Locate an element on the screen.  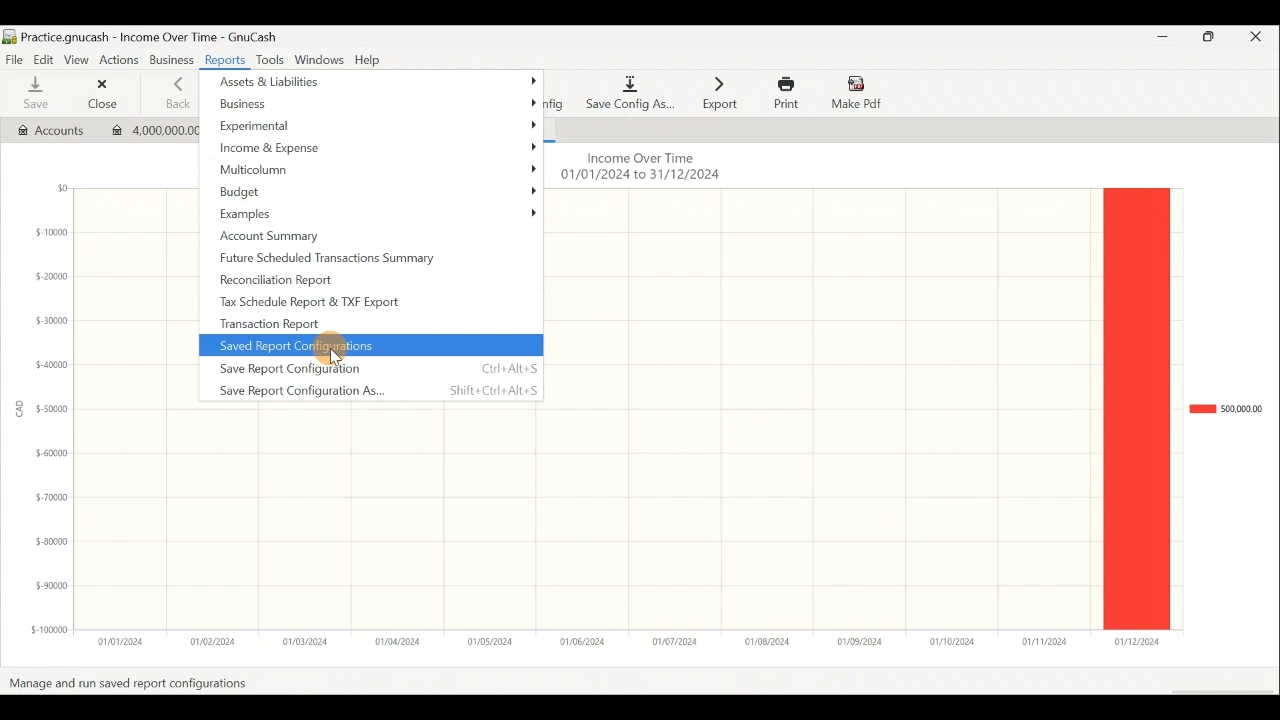
y-axis (amount in CAD) is located at coordinates (46, 417).